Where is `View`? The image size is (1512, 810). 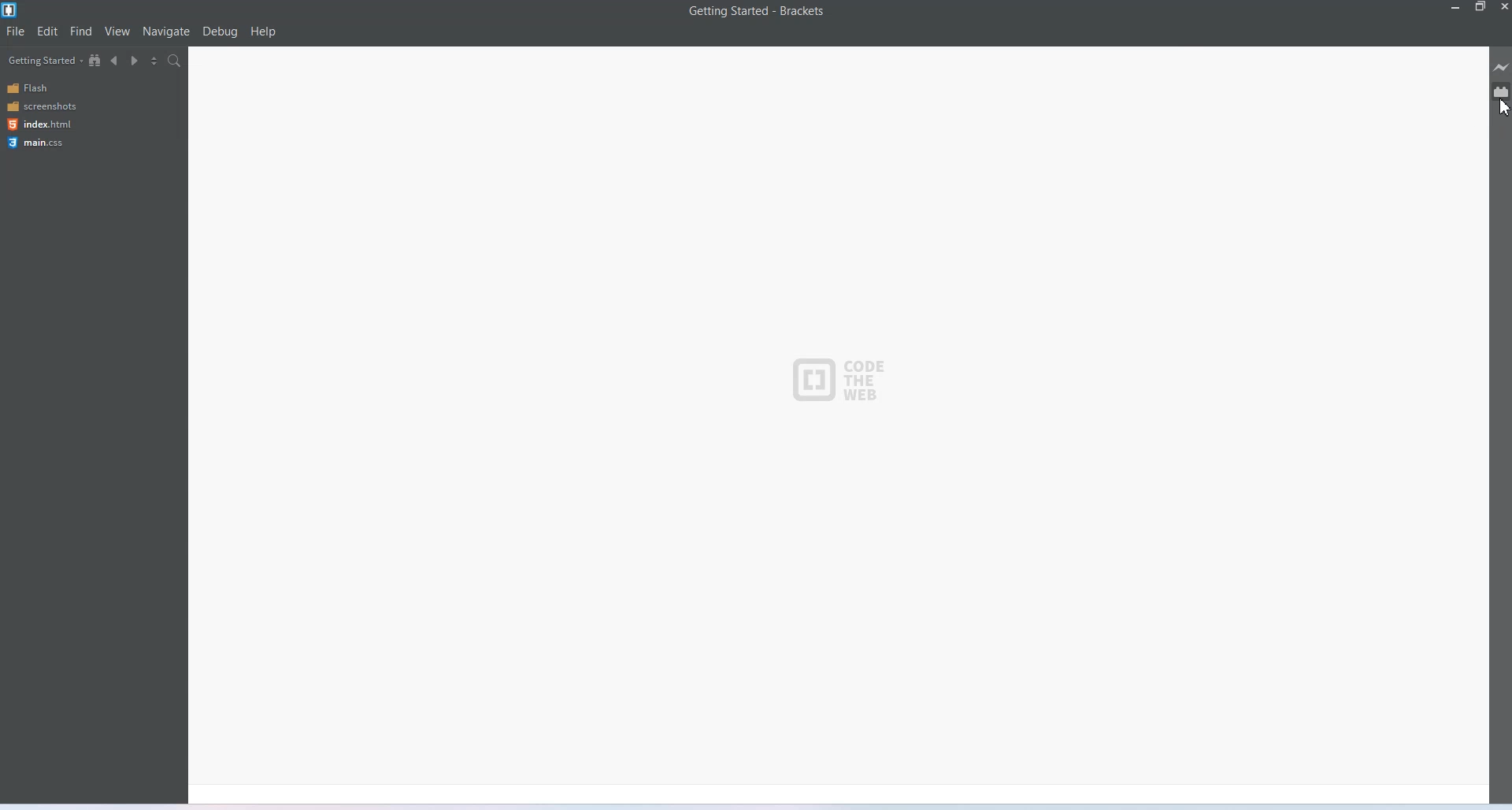 View is located at coordinates (117, 32).